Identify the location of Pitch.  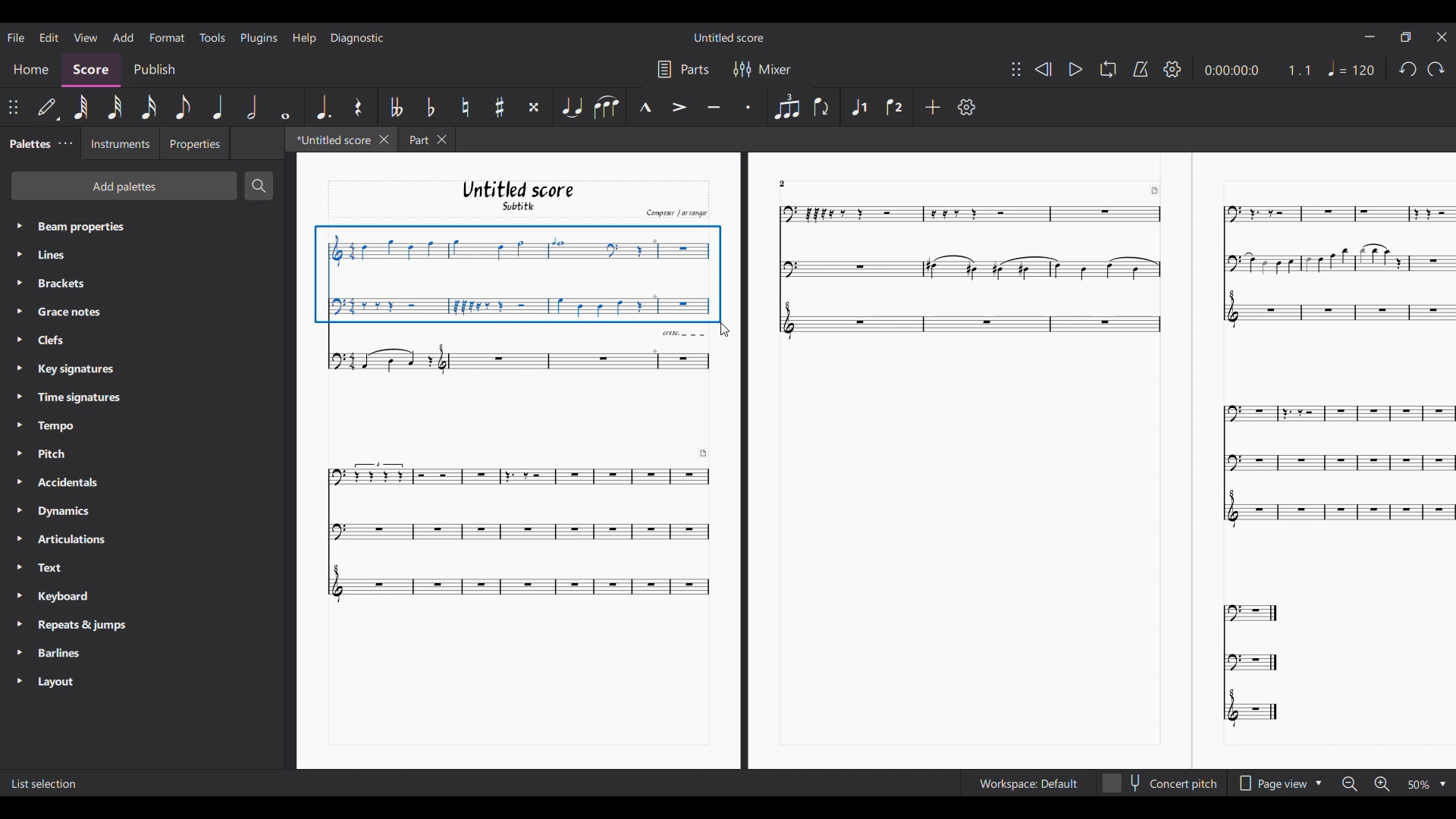
(63, 453).